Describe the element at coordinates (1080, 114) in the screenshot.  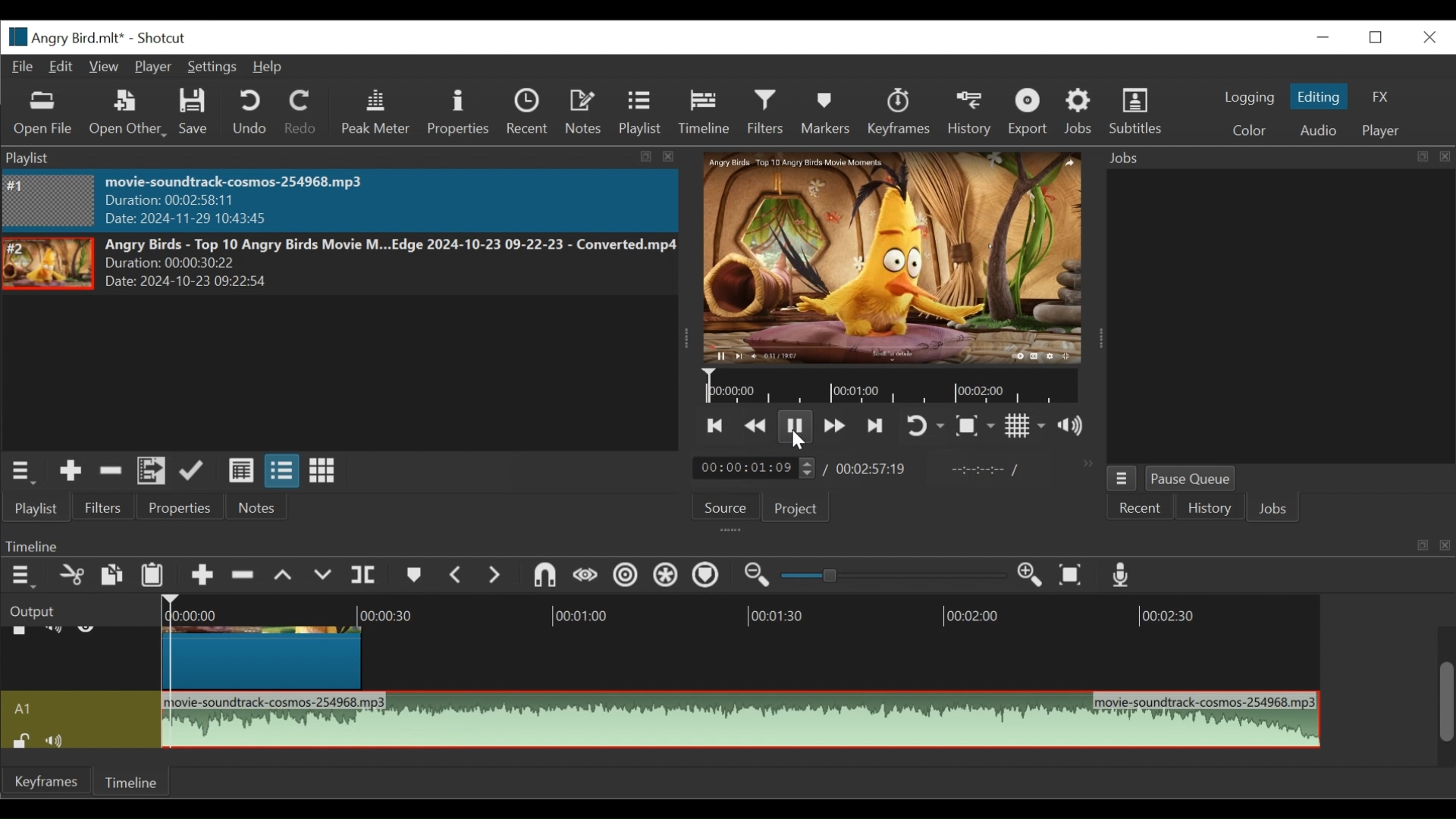
I see `Jobs` at that location.